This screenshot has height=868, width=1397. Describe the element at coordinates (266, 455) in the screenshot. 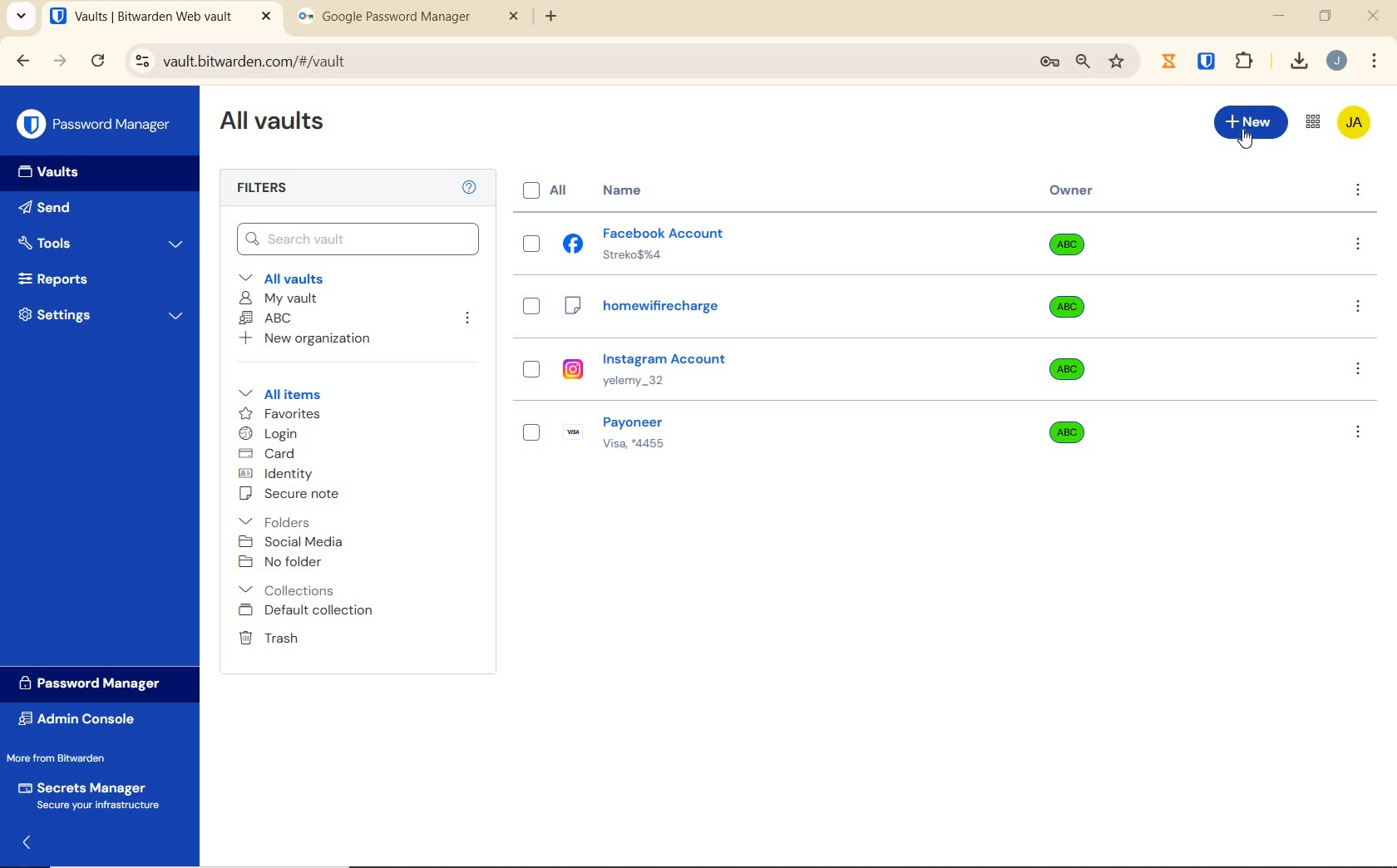

I see `card` at that location.